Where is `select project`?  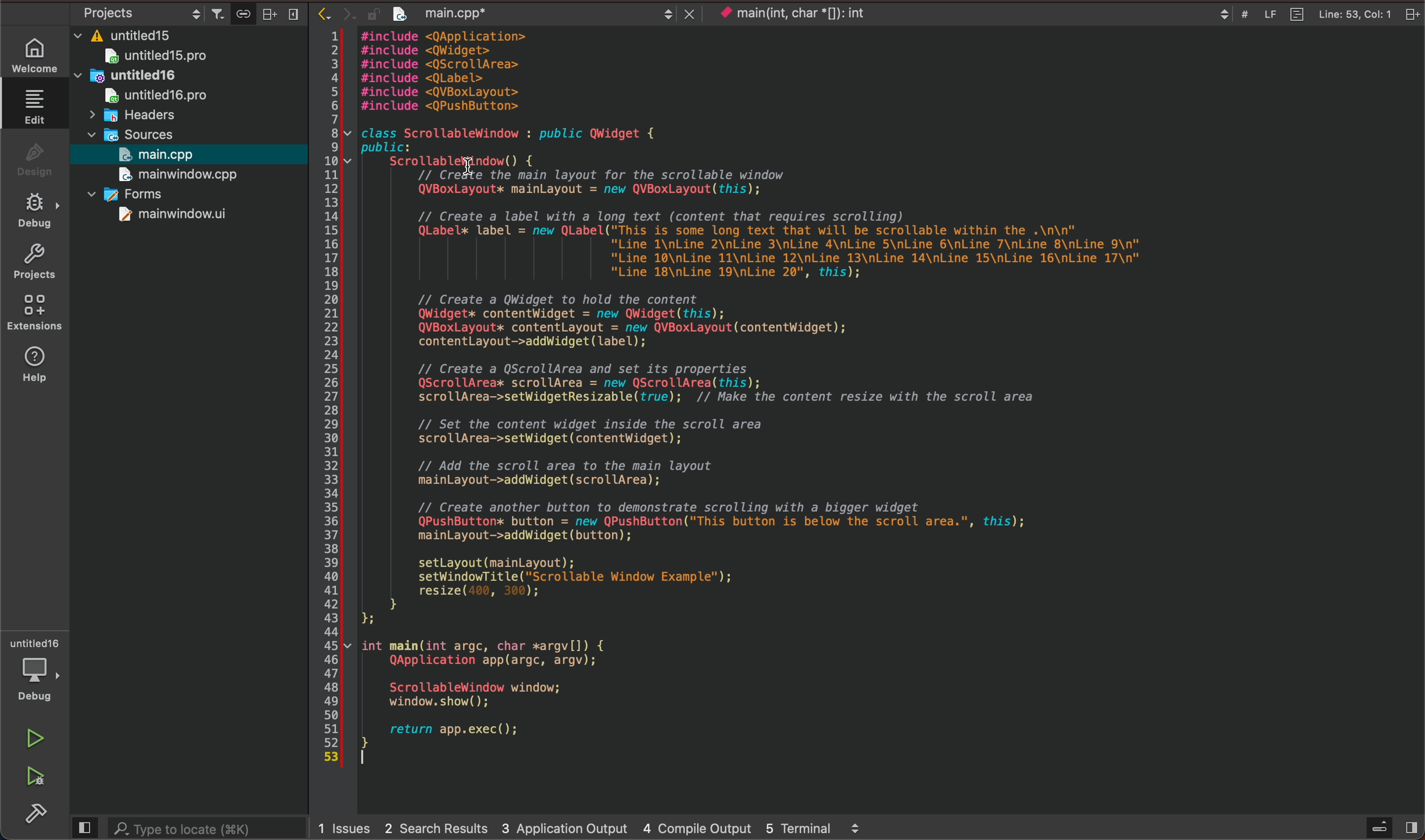
select project is located at coordinates (138, 14).